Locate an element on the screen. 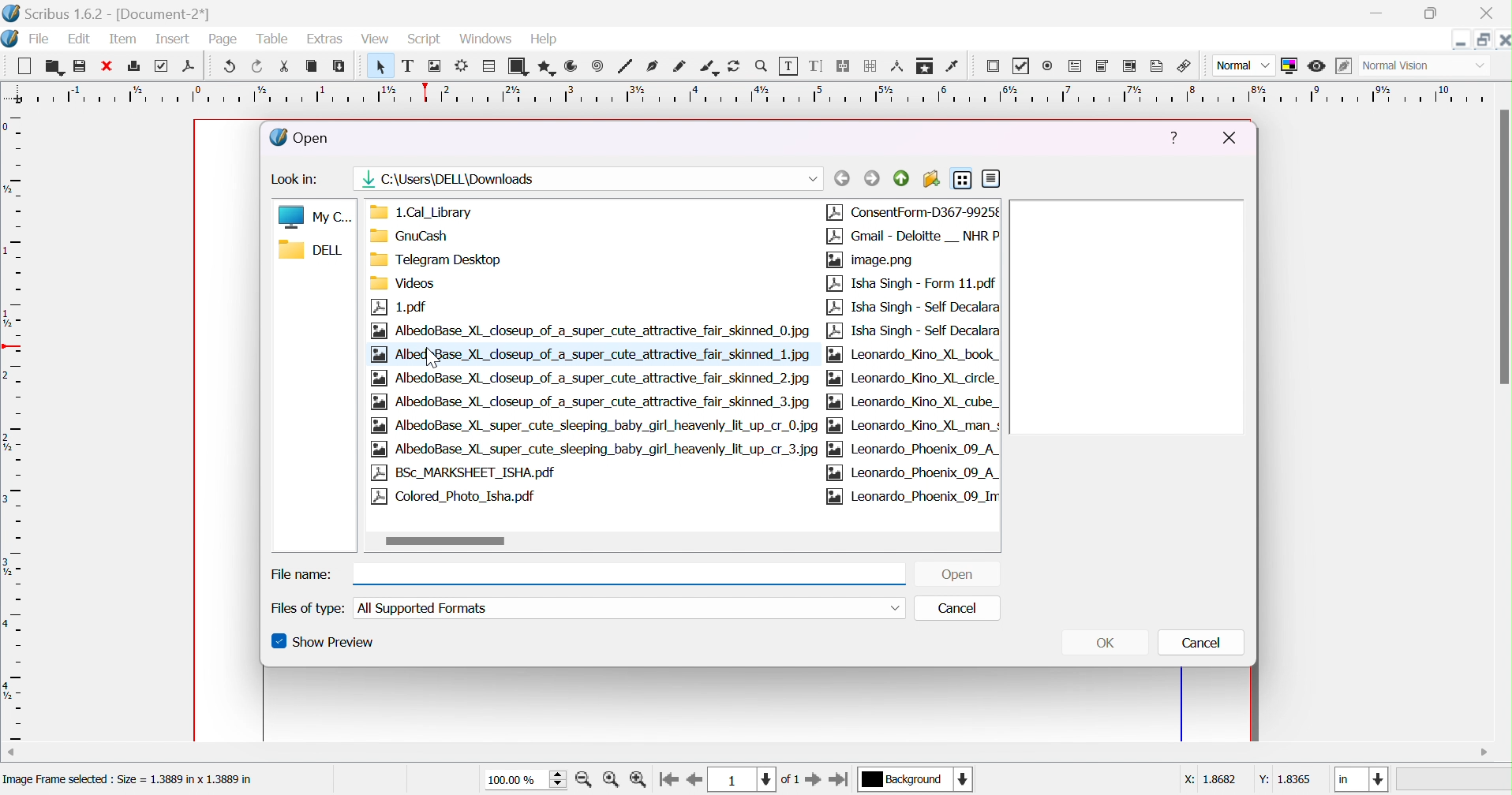  files of types: is located at coordinates (306, 607).